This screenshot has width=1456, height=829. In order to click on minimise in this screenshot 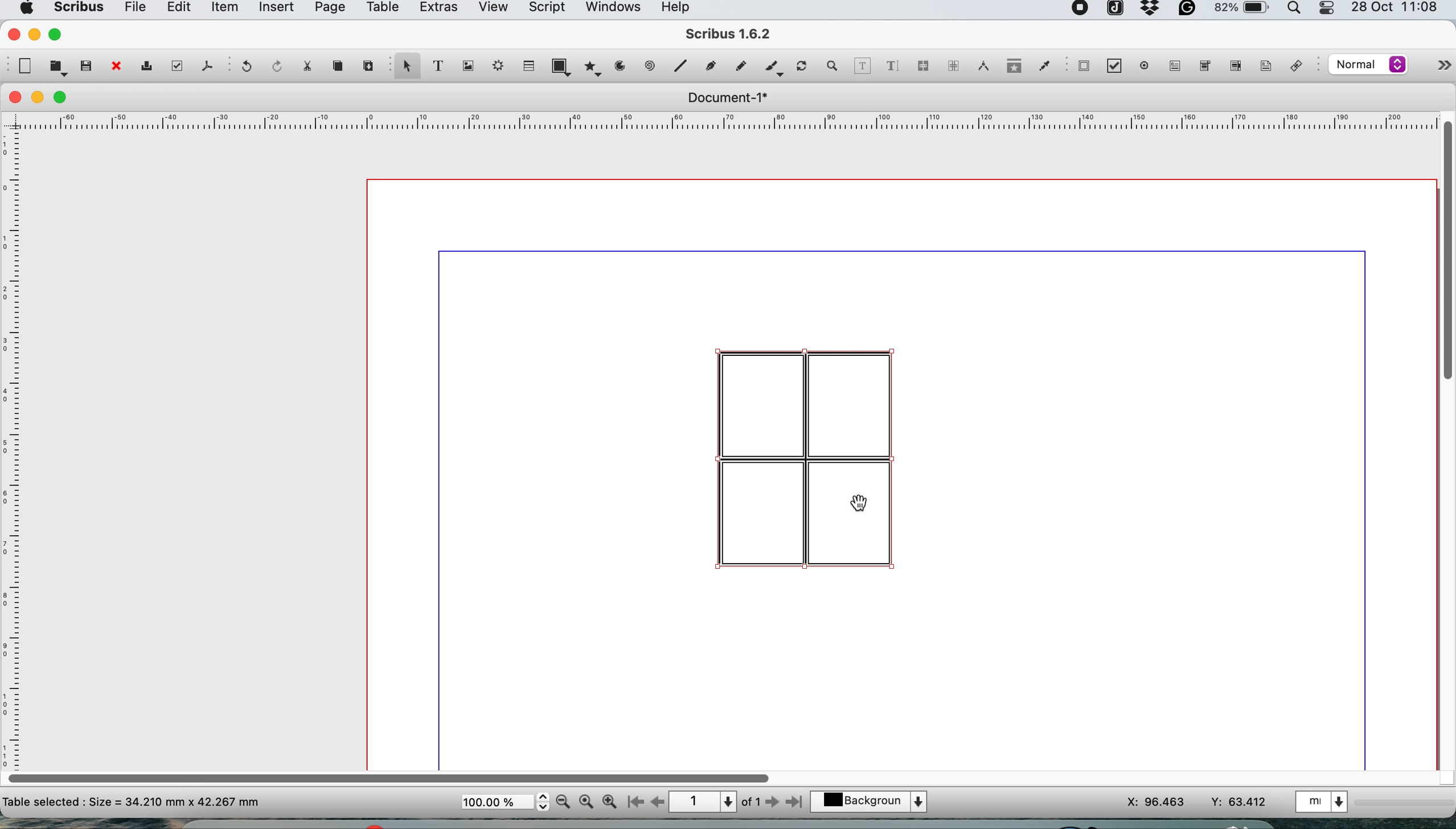, I will do `click(34, 34)`.